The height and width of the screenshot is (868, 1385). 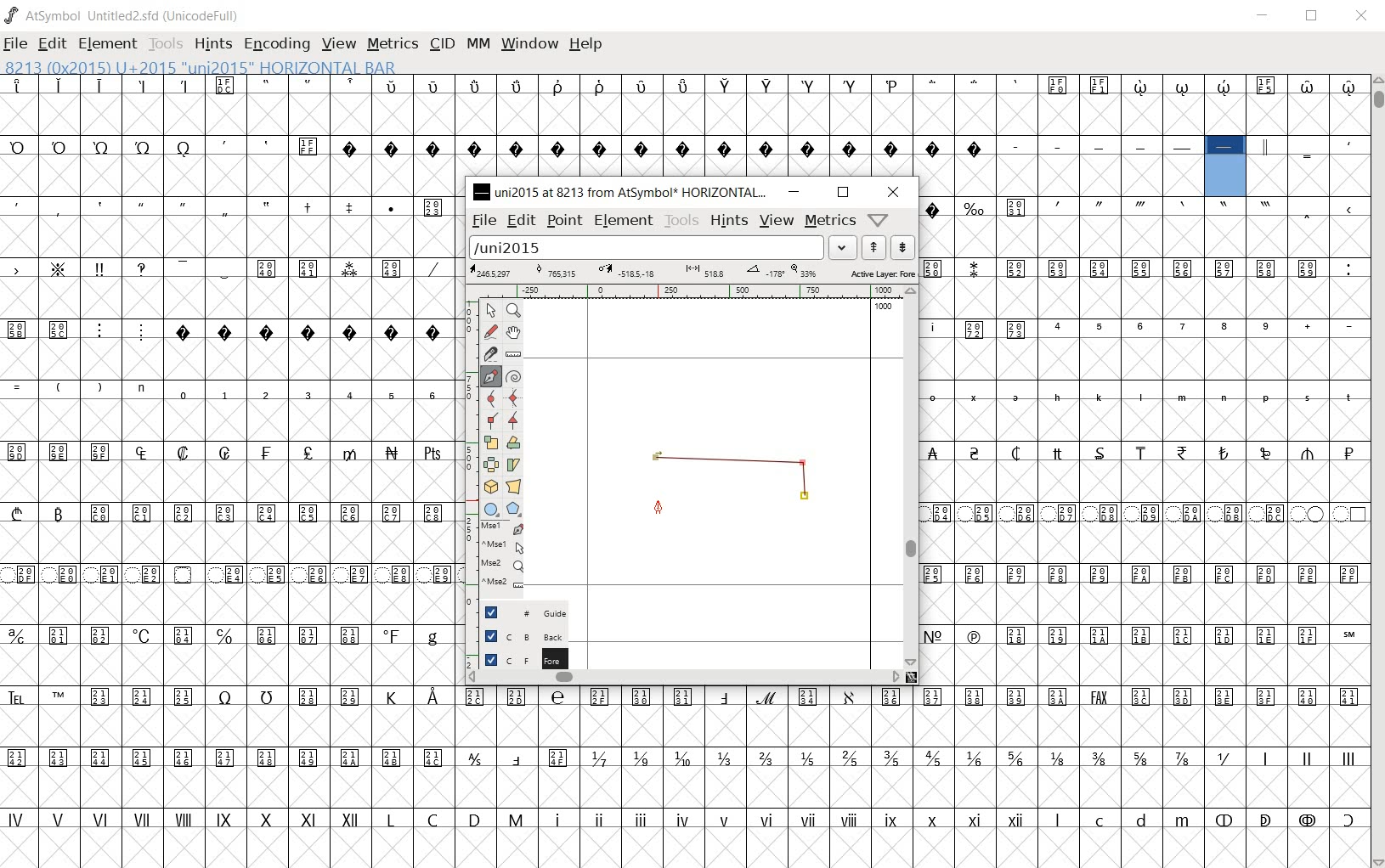 What do you see at coordinates (215, 44) in the screenshot?
I see `HINTS` at bounding box center [215, 44].